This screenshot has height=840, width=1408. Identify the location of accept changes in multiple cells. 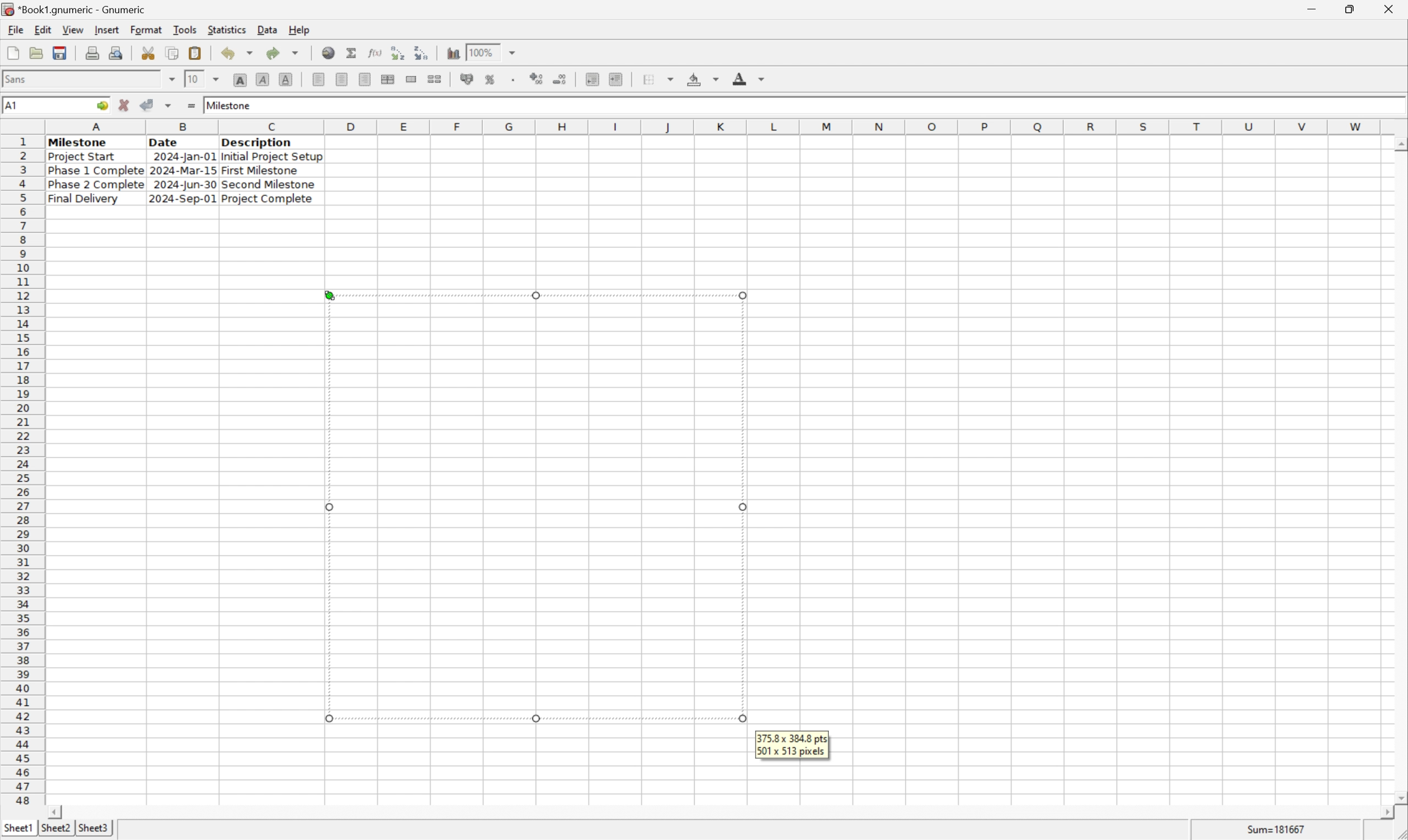
(170, 108).